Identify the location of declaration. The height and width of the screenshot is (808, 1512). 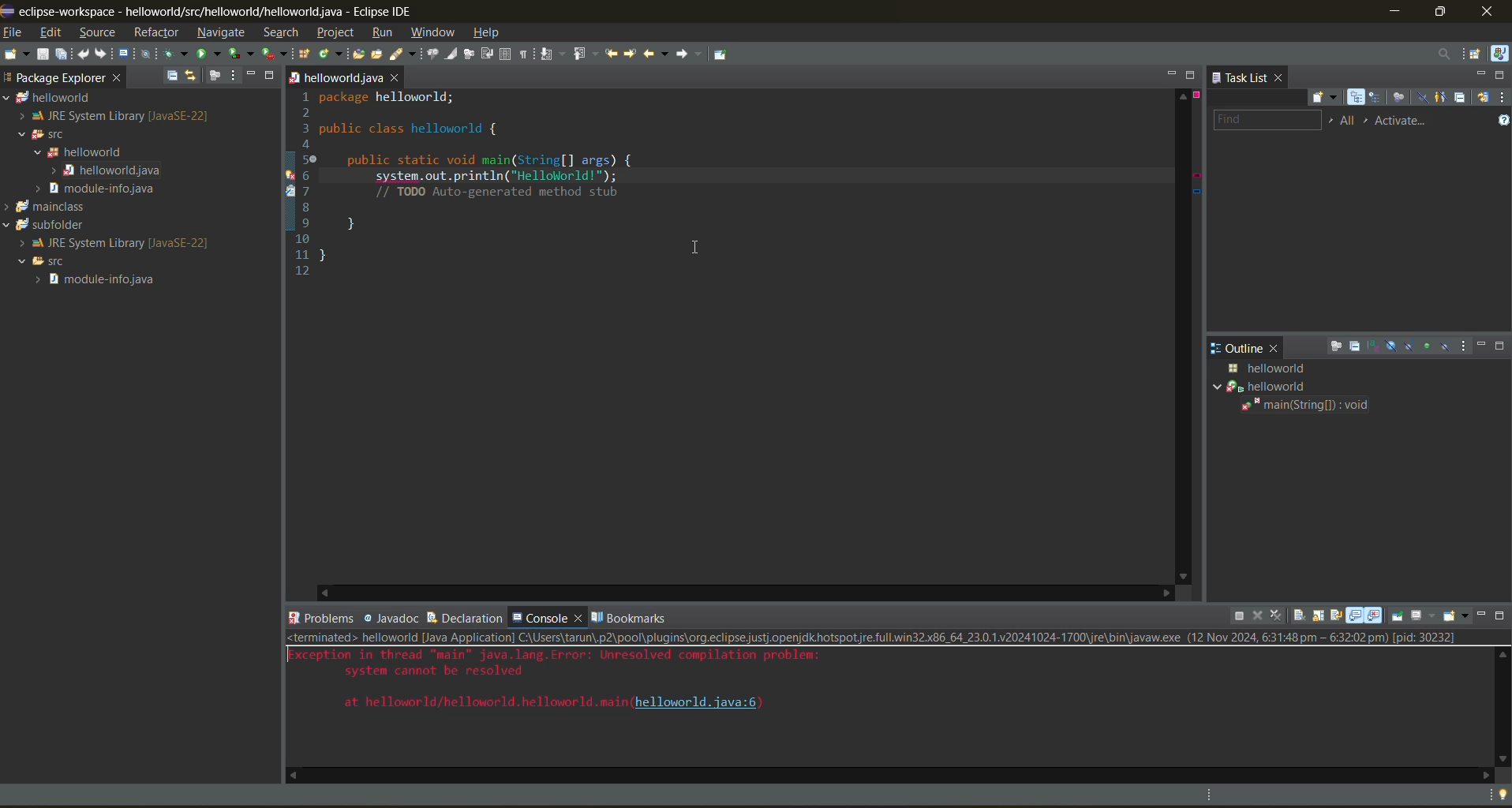
(467, 618).